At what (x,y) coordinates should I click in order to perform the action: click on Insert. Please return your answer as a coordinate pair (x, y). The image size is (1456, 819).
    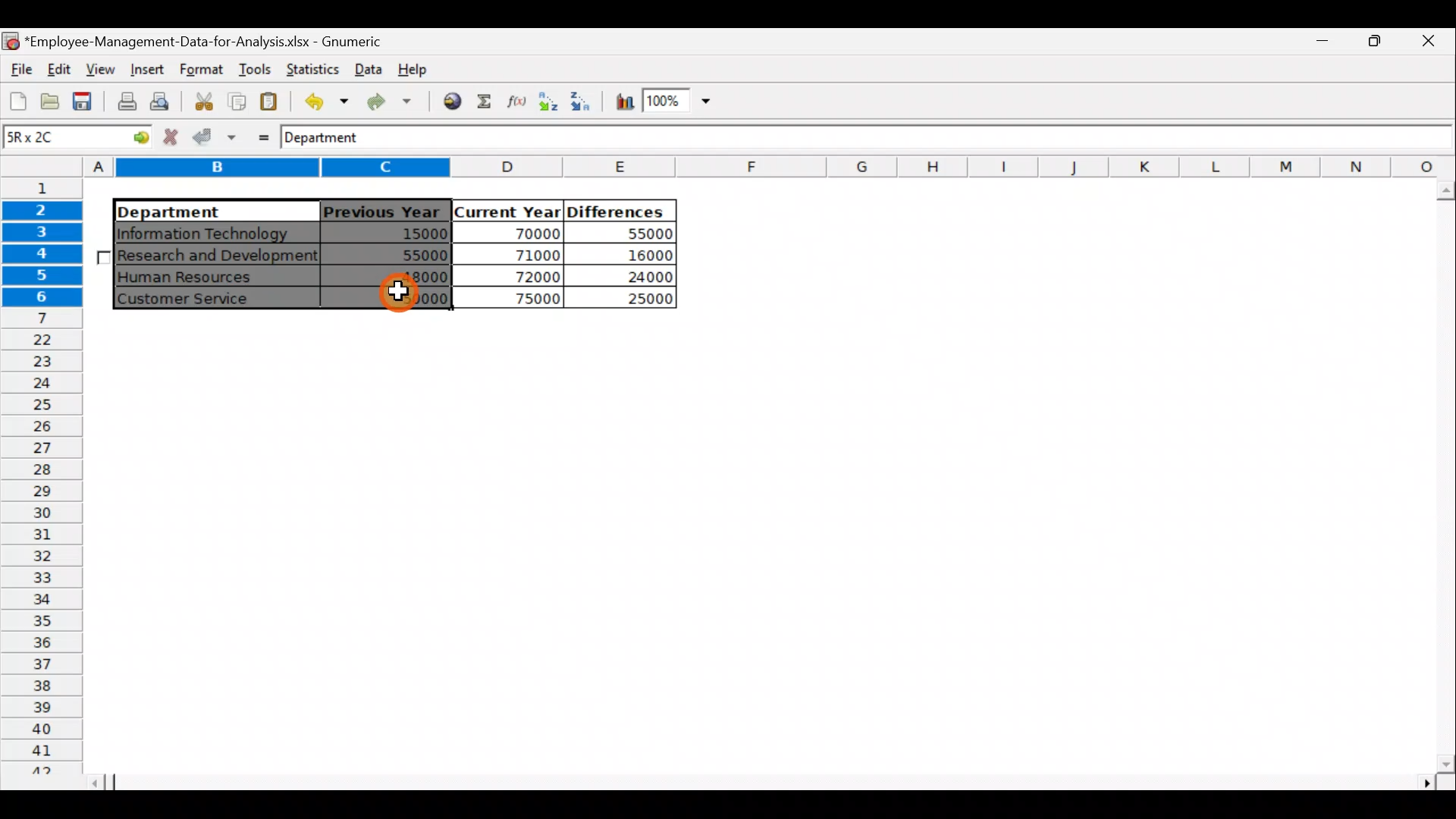
    Looking at the image, I should click on (146, 68).